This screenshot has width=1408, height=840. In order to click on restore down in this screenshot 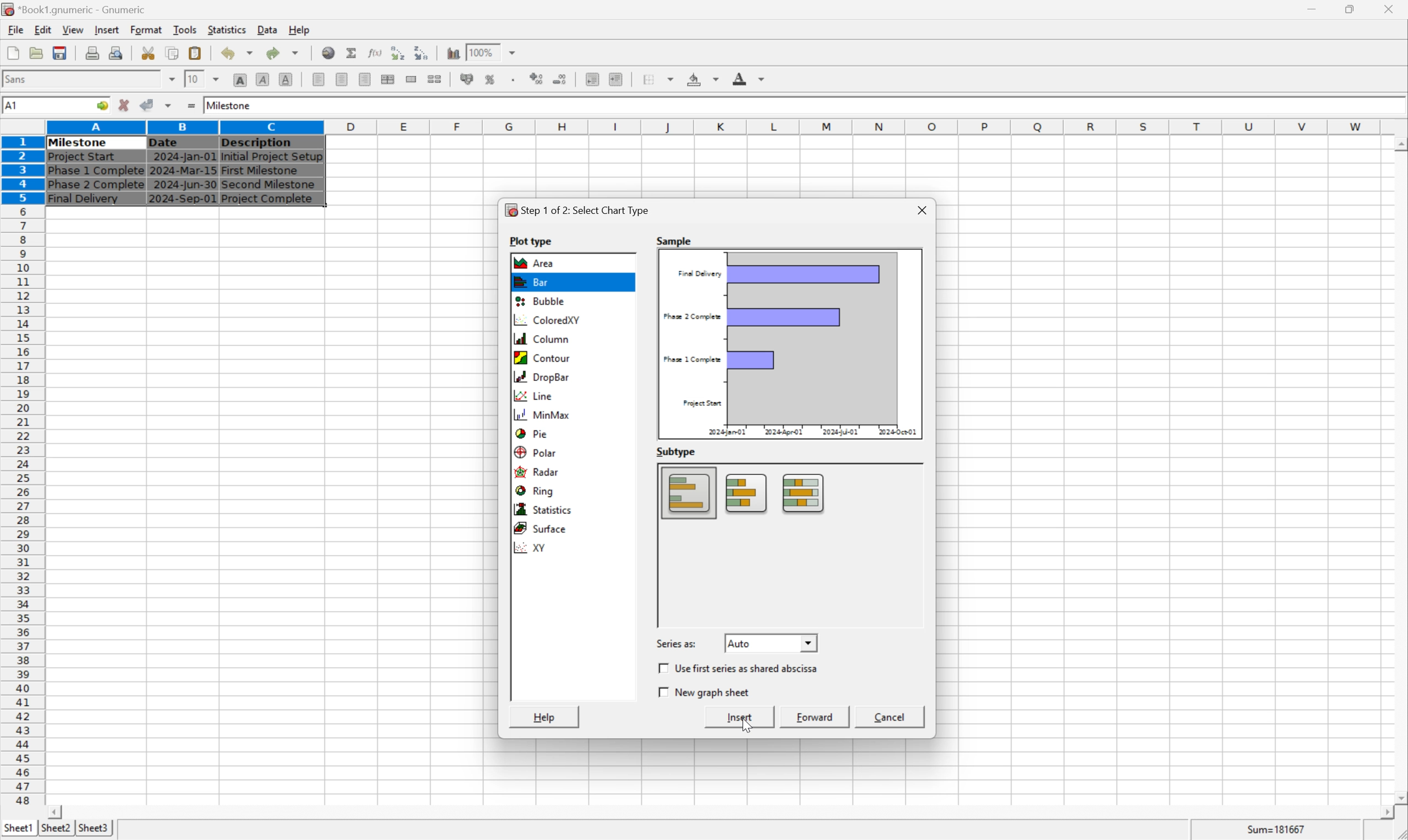, I will do `click(1354, 9)`.